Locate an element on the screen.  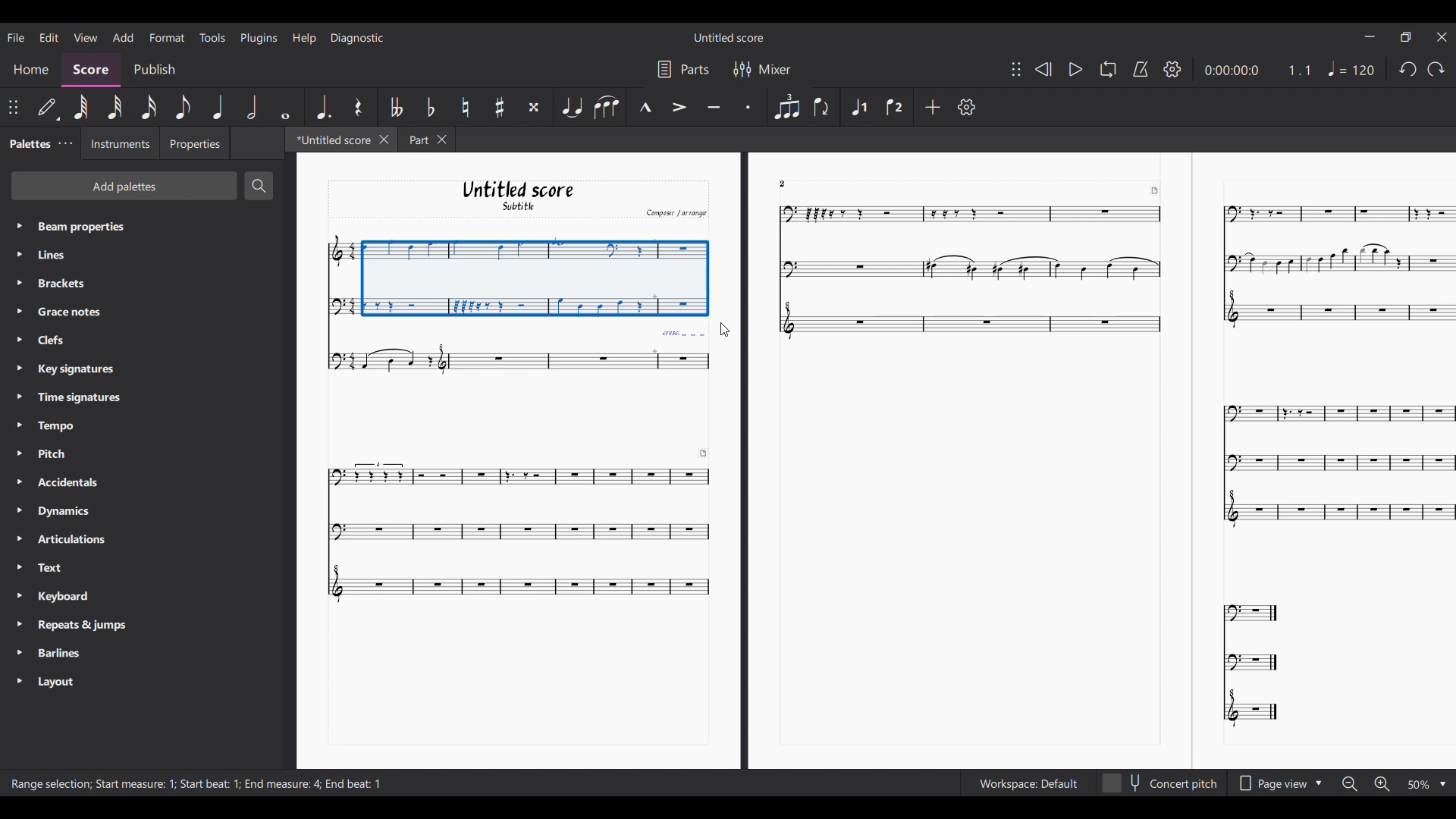
Diagnostic is located at coordinates (357, 38).